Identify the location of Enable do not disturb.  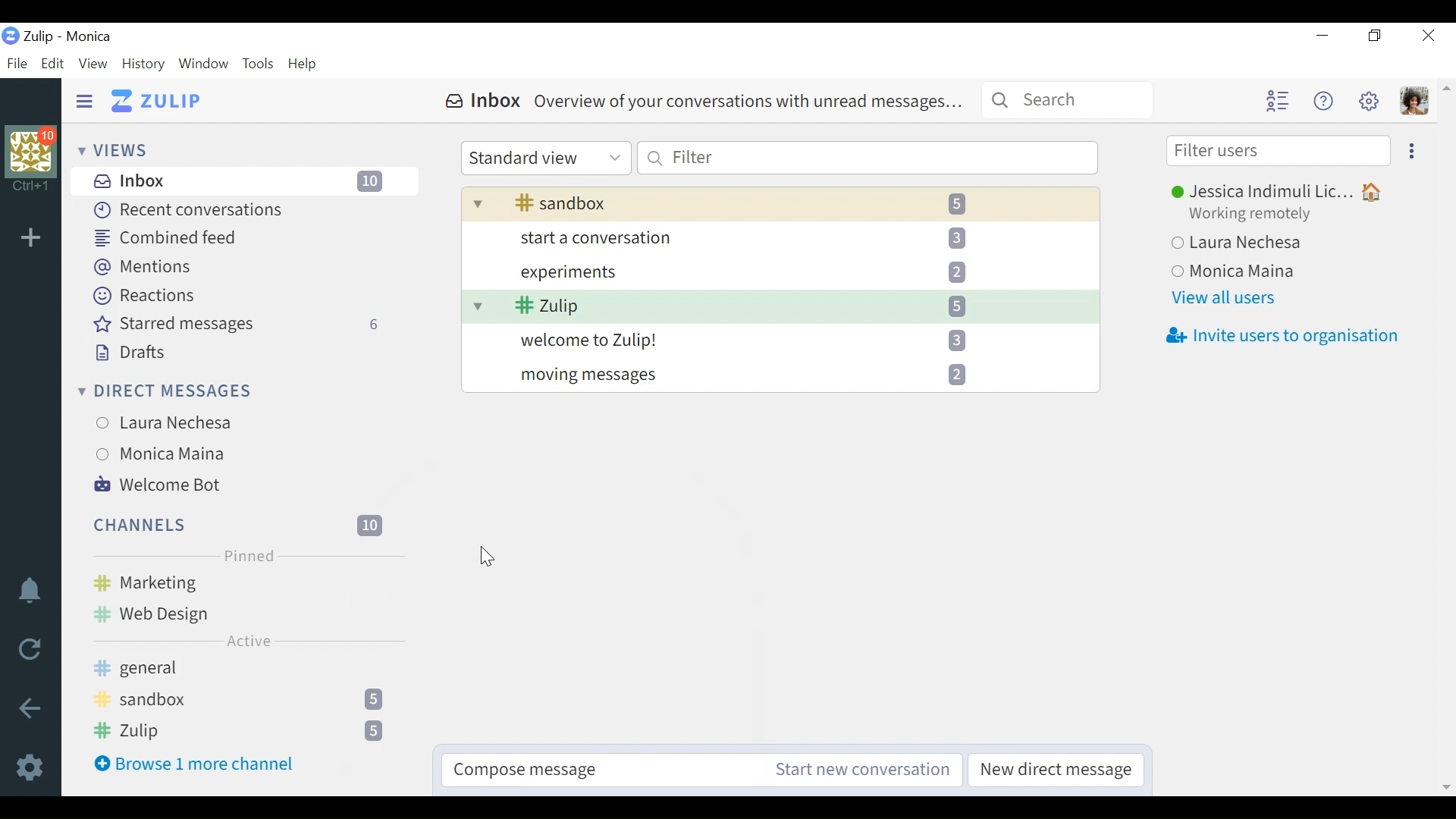
(33, 593).